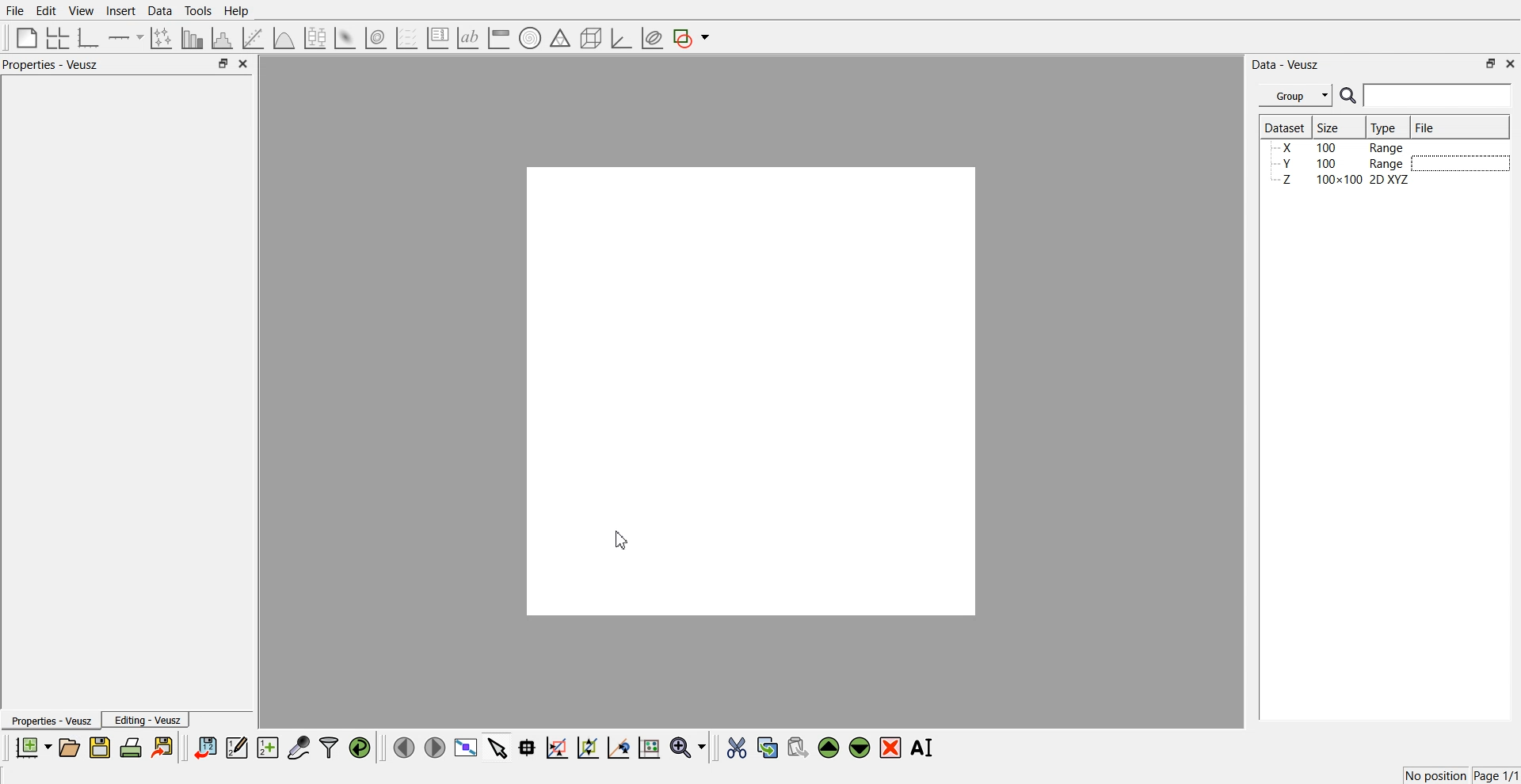 This screenshot has width=1521, height=784. What do you see at coordinates (621, 38) in the screenshot?
I see `3D Graph` at bounding box center [621, 38].